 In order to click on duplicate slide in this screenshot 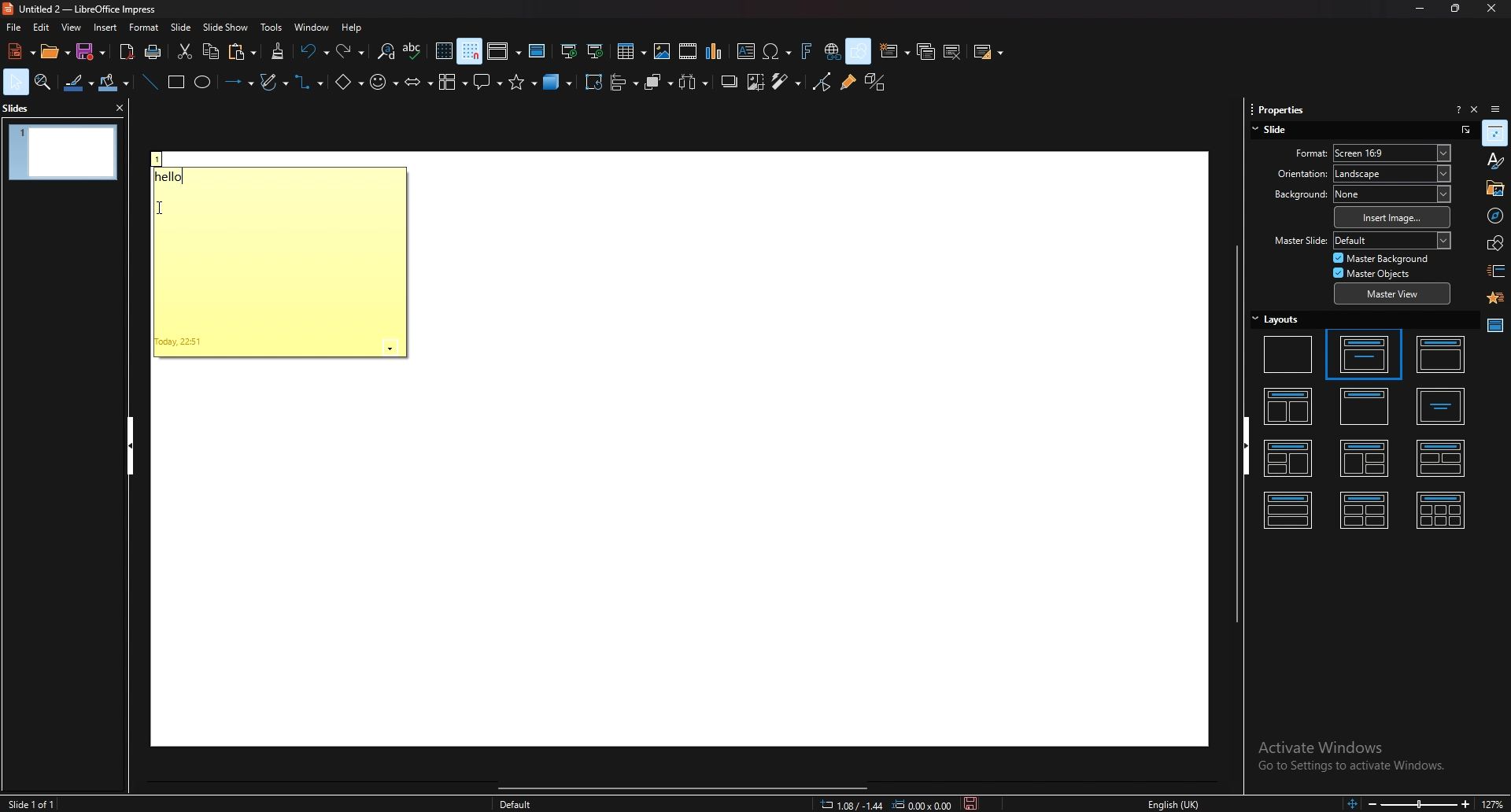, I will do `click(926, 51)`.